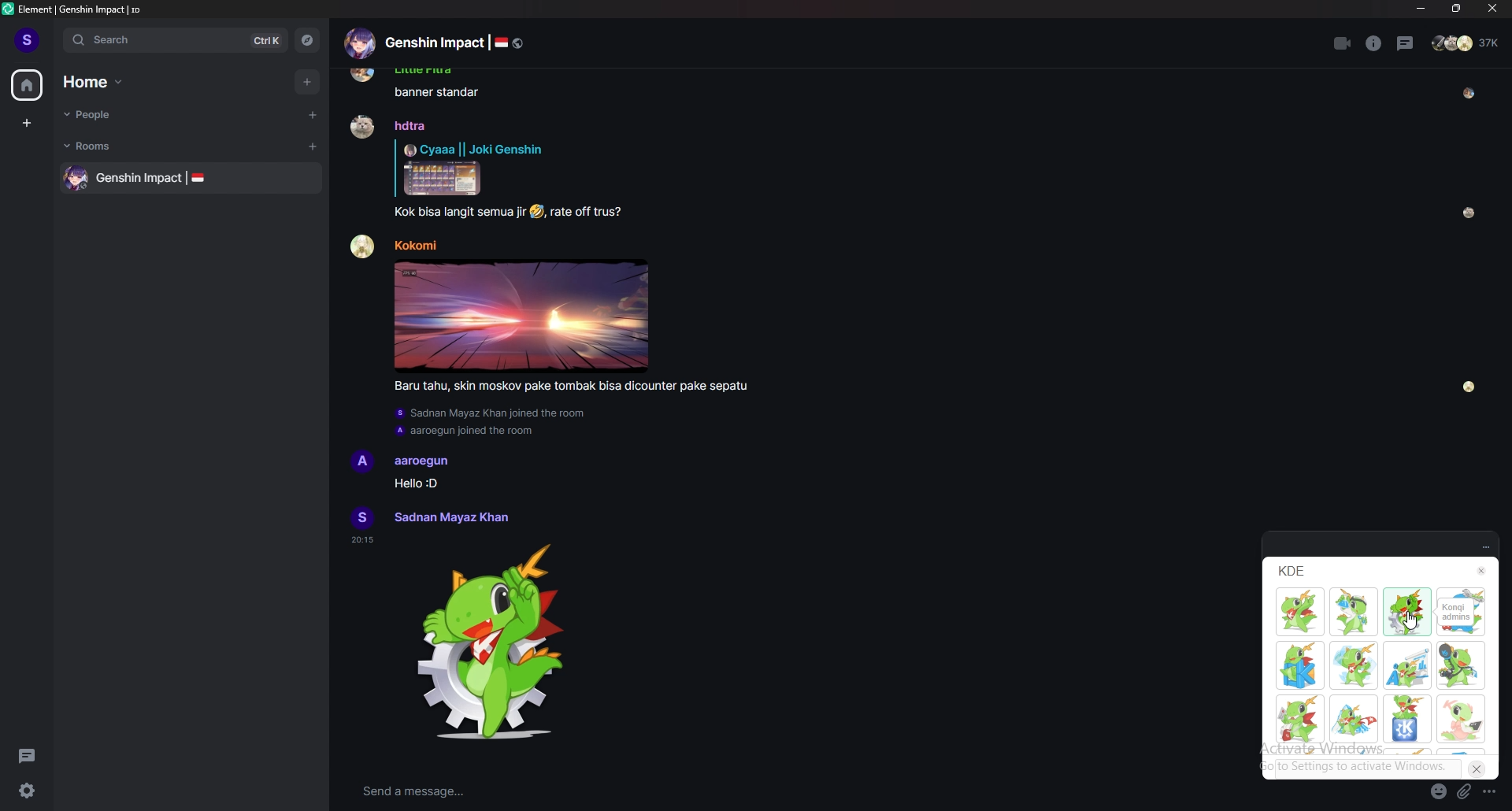 This screenshot has width=1512, height=811. I want to click on Kongi konvergence, so click(1354, 665).